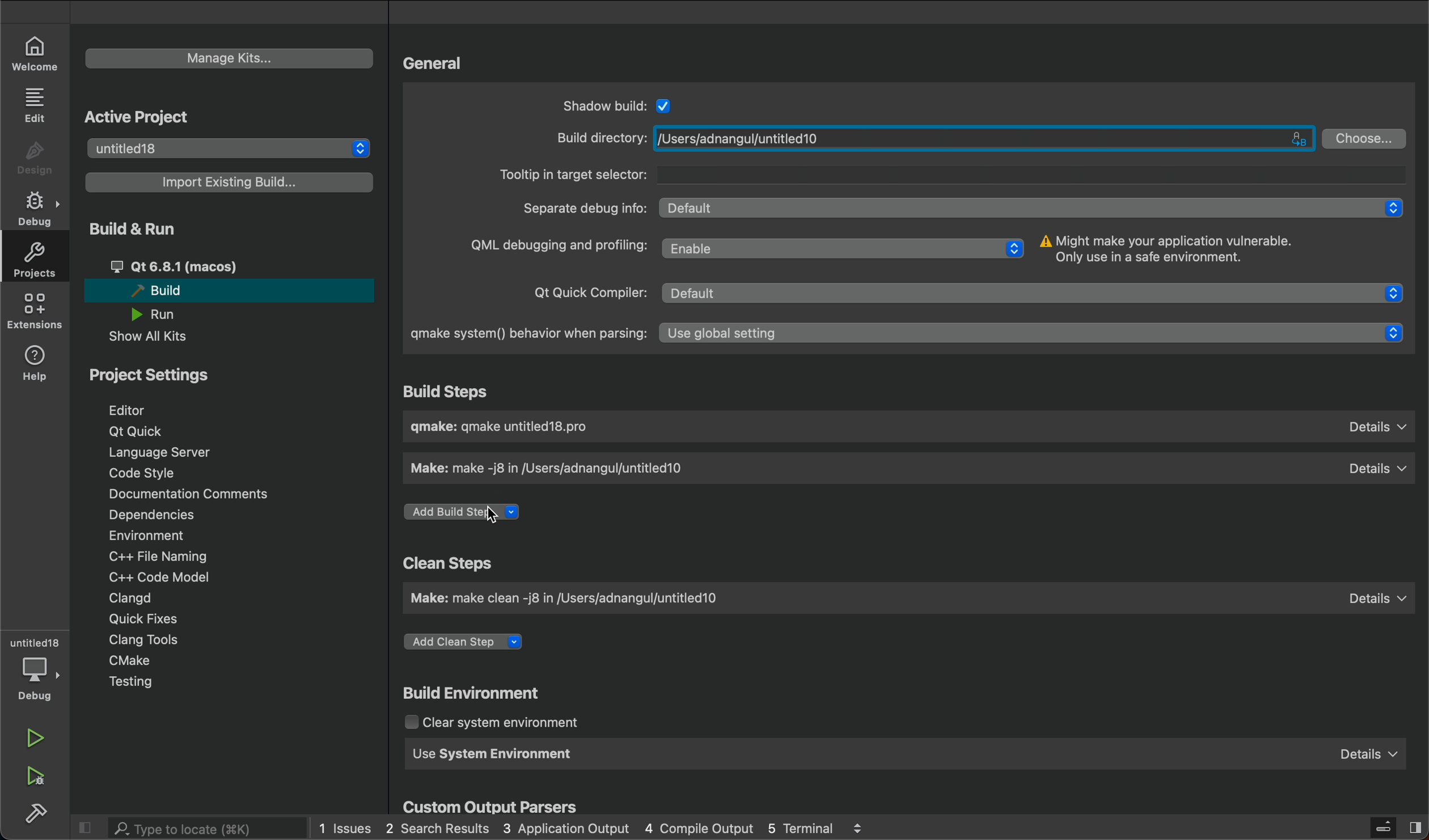 Image resolution: width=1429 pixels, height=840 pixels. I want to click on Shadow build:, so click(604, 105).